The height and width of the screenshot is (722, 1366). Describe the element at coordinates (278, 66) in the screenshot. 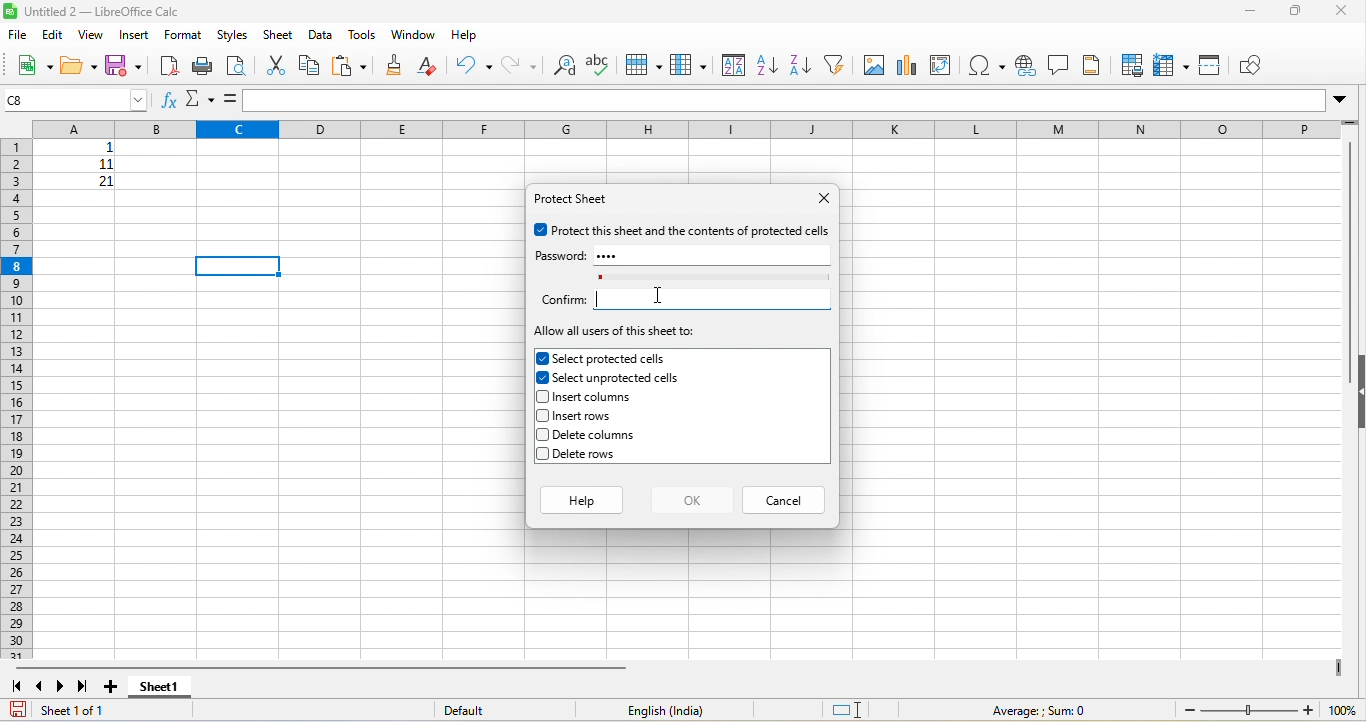

I see `cut` at that location.